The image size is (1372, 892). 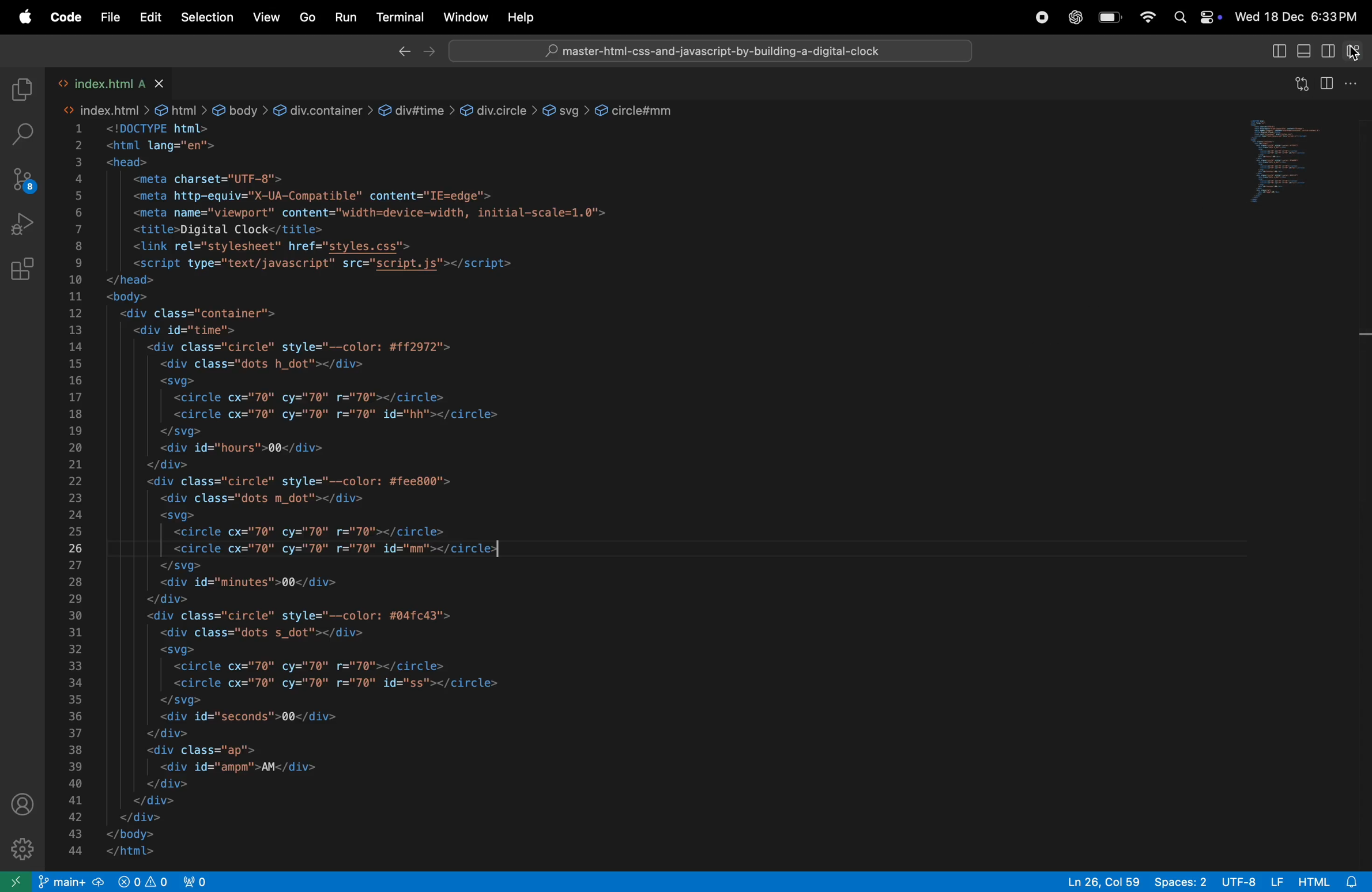 I want to click on Spotlight, so click(x=1177, y=18).